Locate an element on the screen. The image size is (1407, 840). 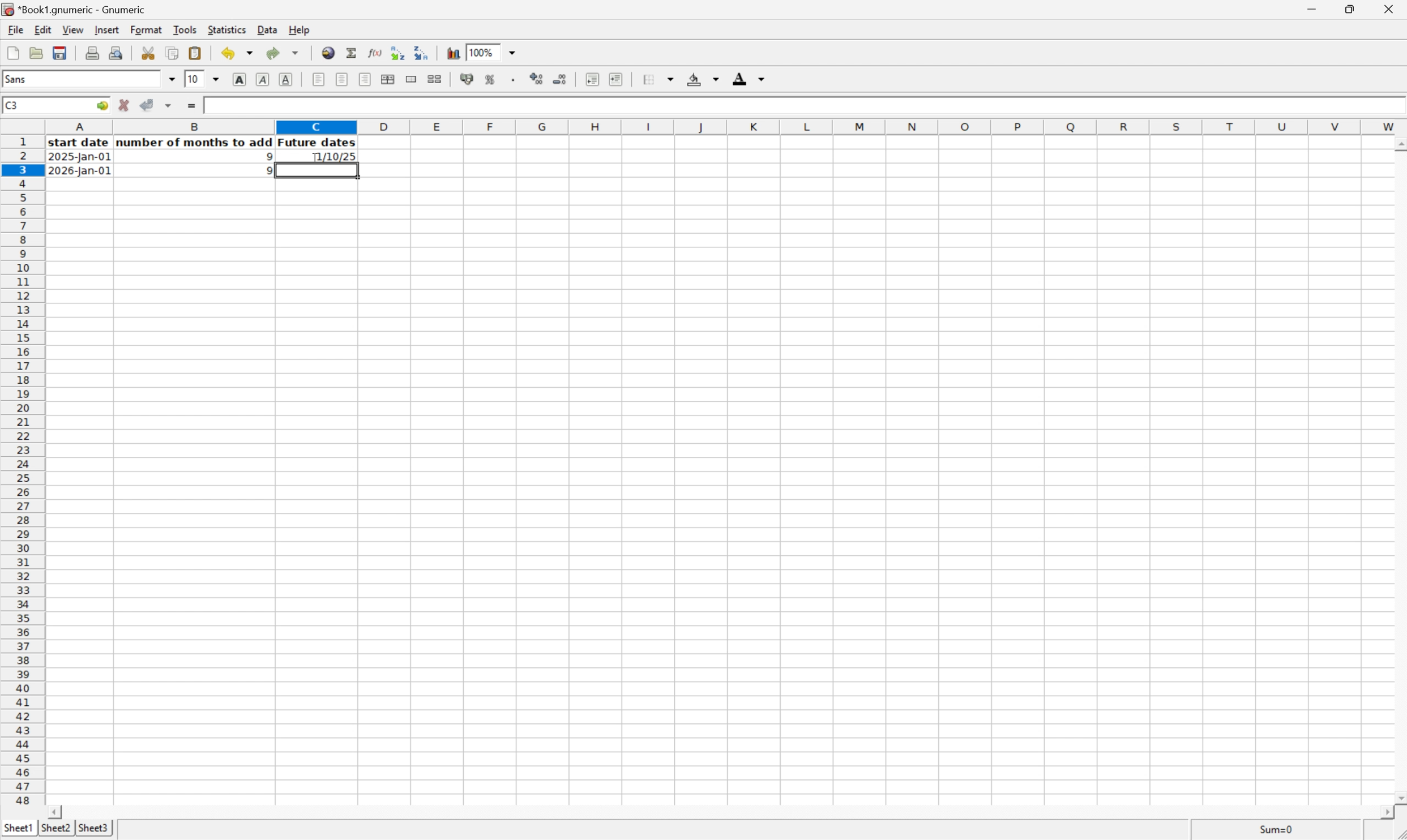
Open a file is located at coordinates (35, 53).